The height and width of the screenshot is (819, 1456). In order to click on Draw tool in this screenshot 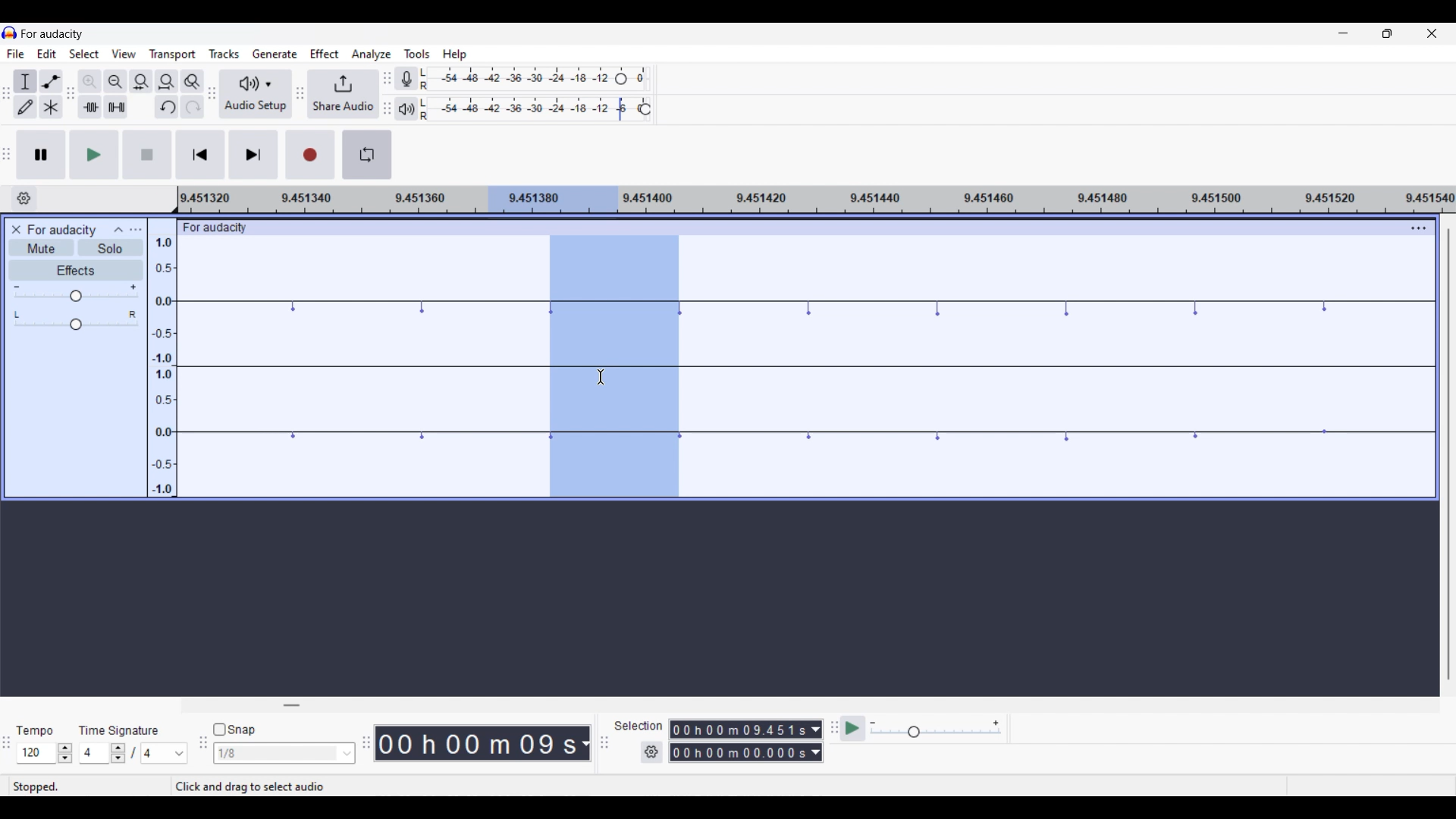, I will do `click(26, 107)`.